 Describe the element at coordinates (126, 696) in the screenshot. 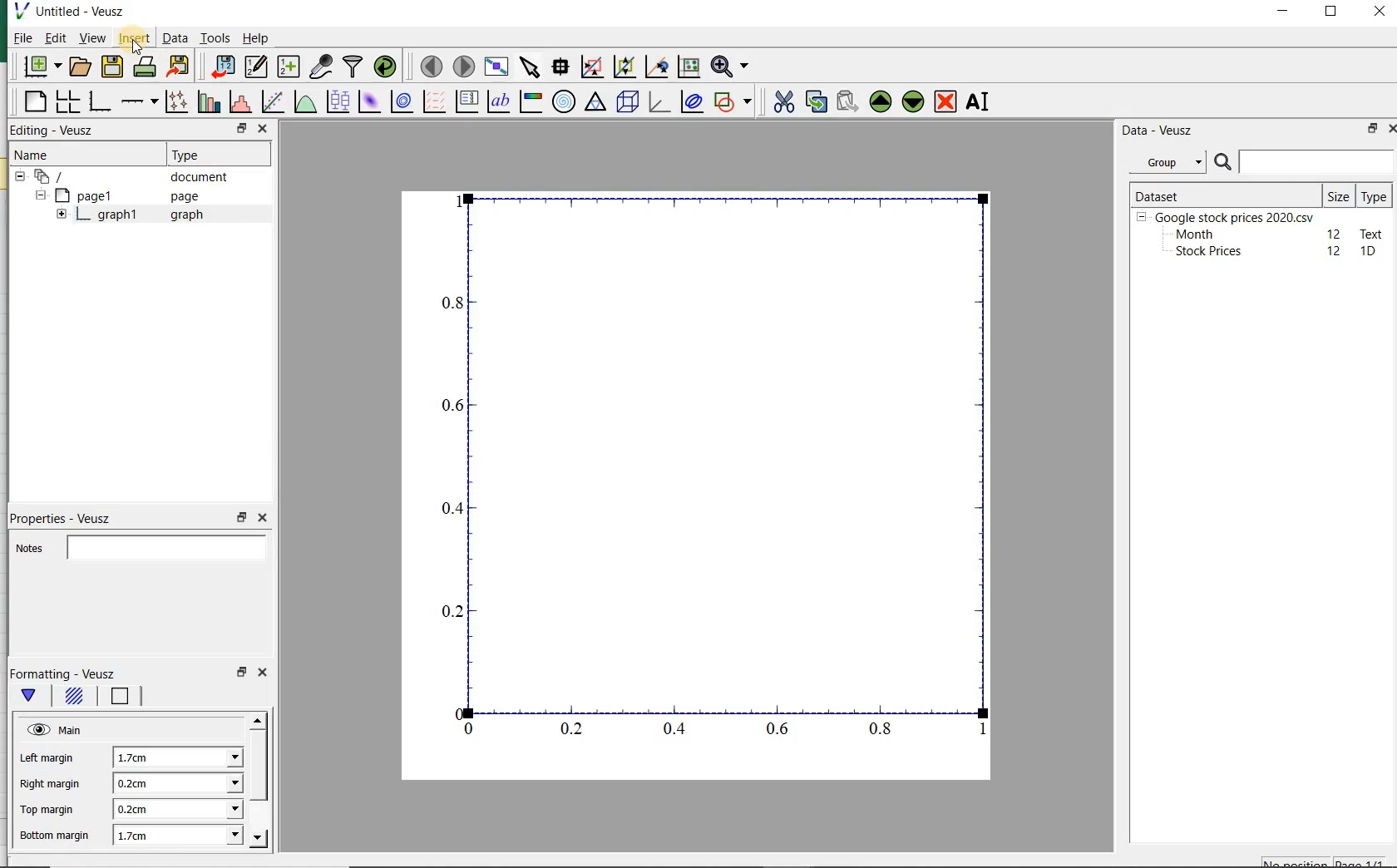

I see `border` at that location.